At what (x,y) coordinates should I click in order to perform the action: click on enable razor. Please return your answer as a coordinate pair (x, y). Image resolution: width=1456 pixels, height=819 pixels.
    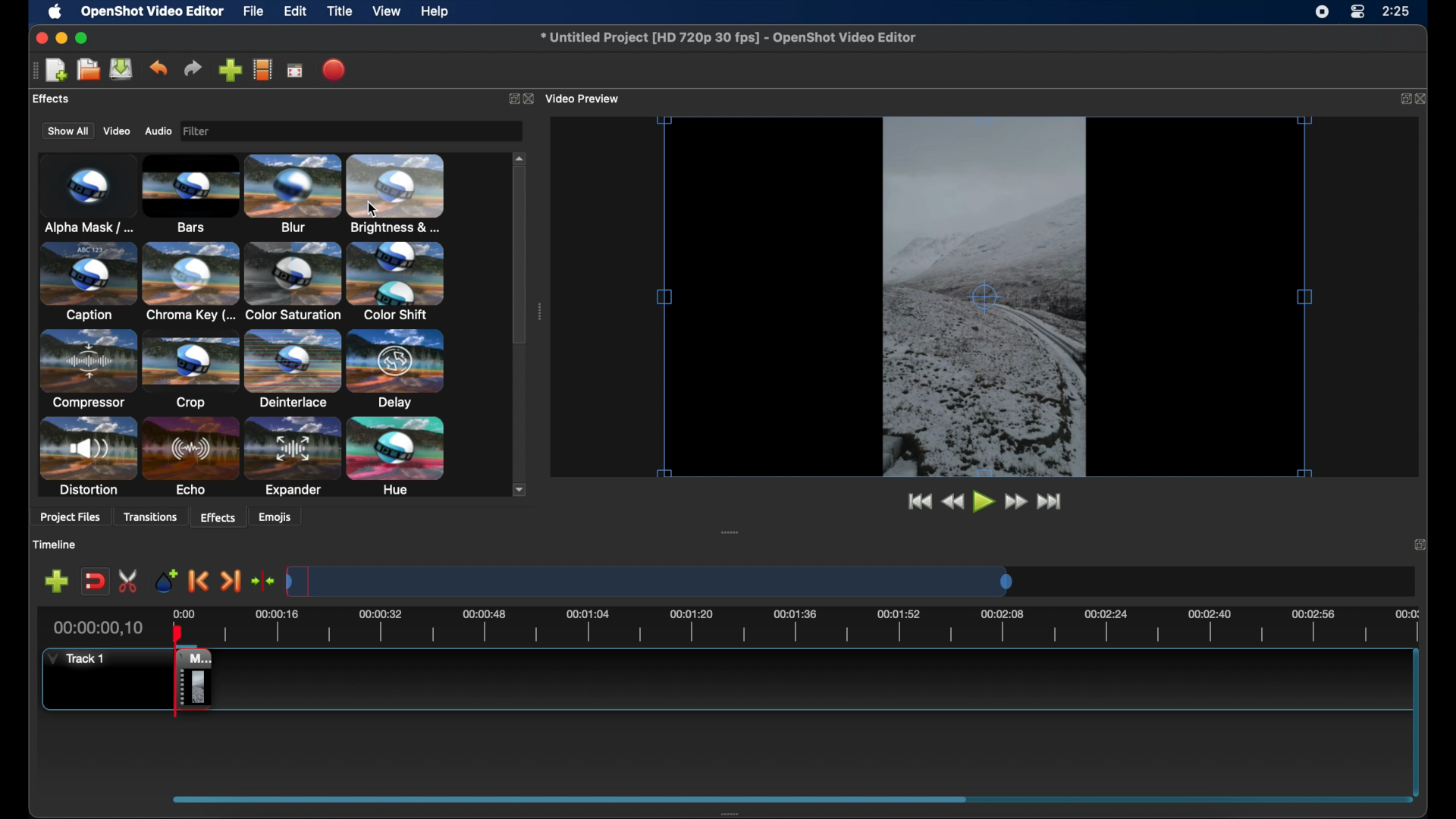
    Looking at the image, I should click on (128, 581).